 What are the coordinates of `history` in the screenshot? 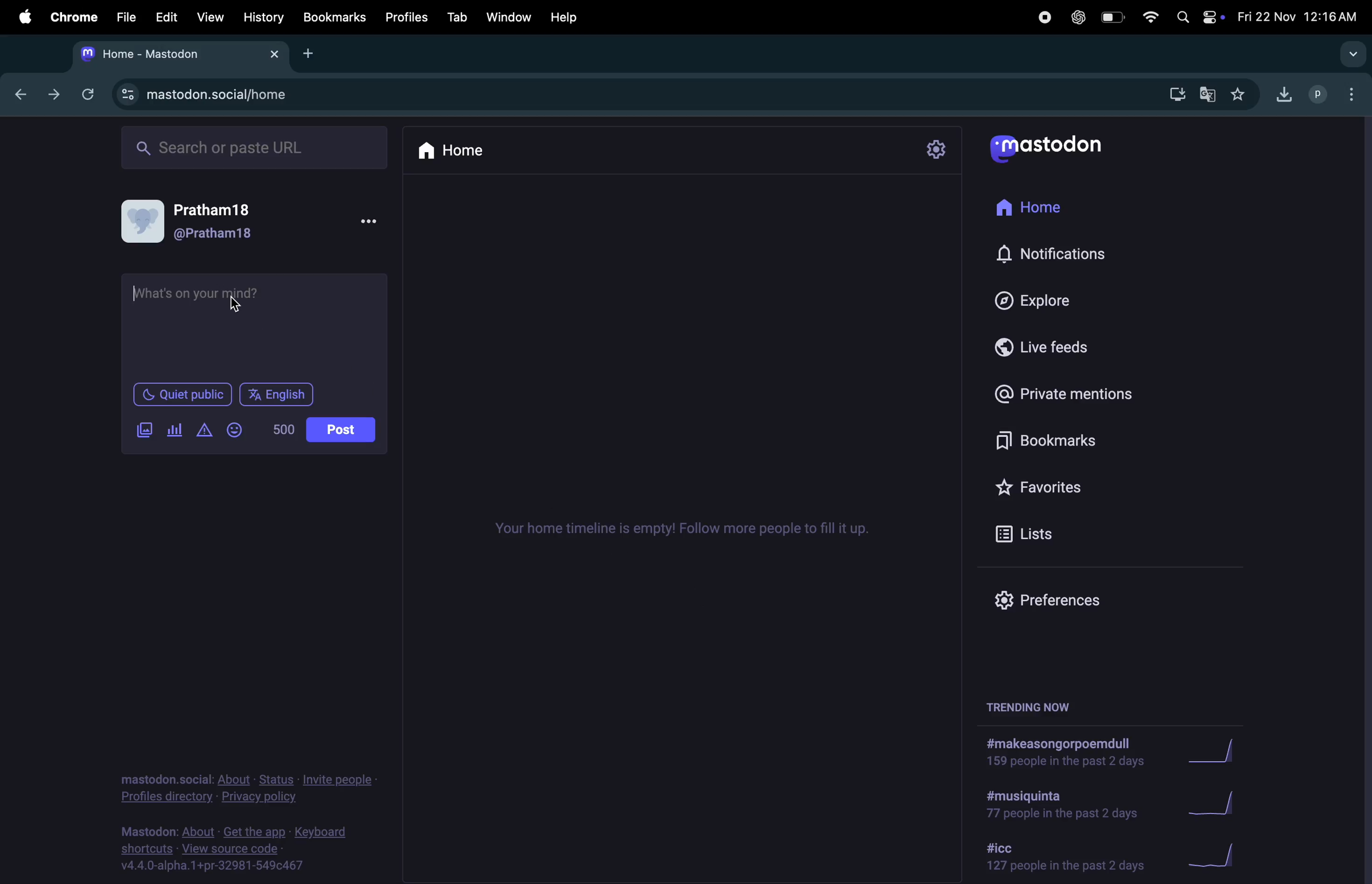 It's located at (265, 18).